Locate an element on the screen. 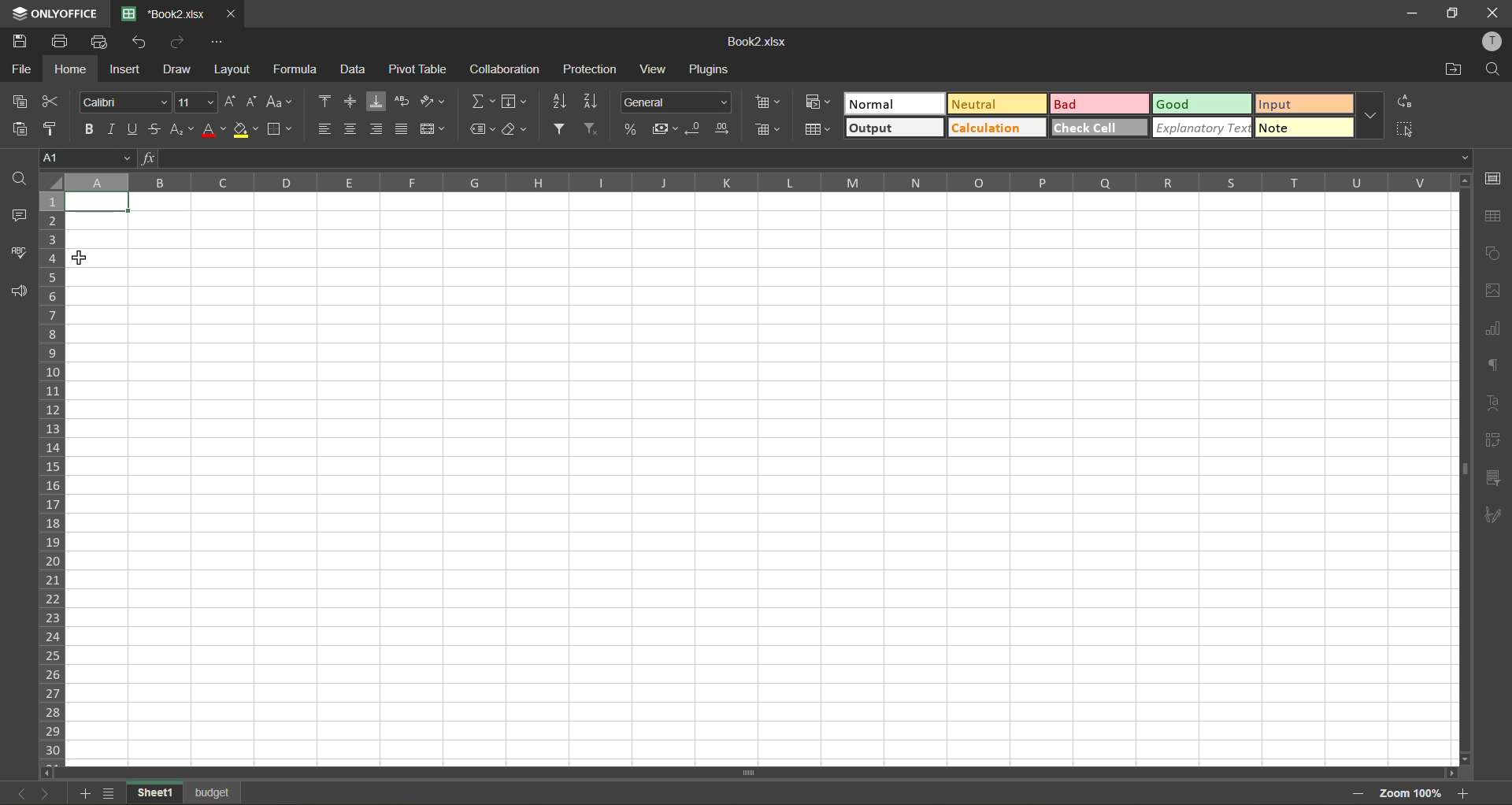 This screenshot has width=1512, height=805. open location is located at coordinates (1455, 69).